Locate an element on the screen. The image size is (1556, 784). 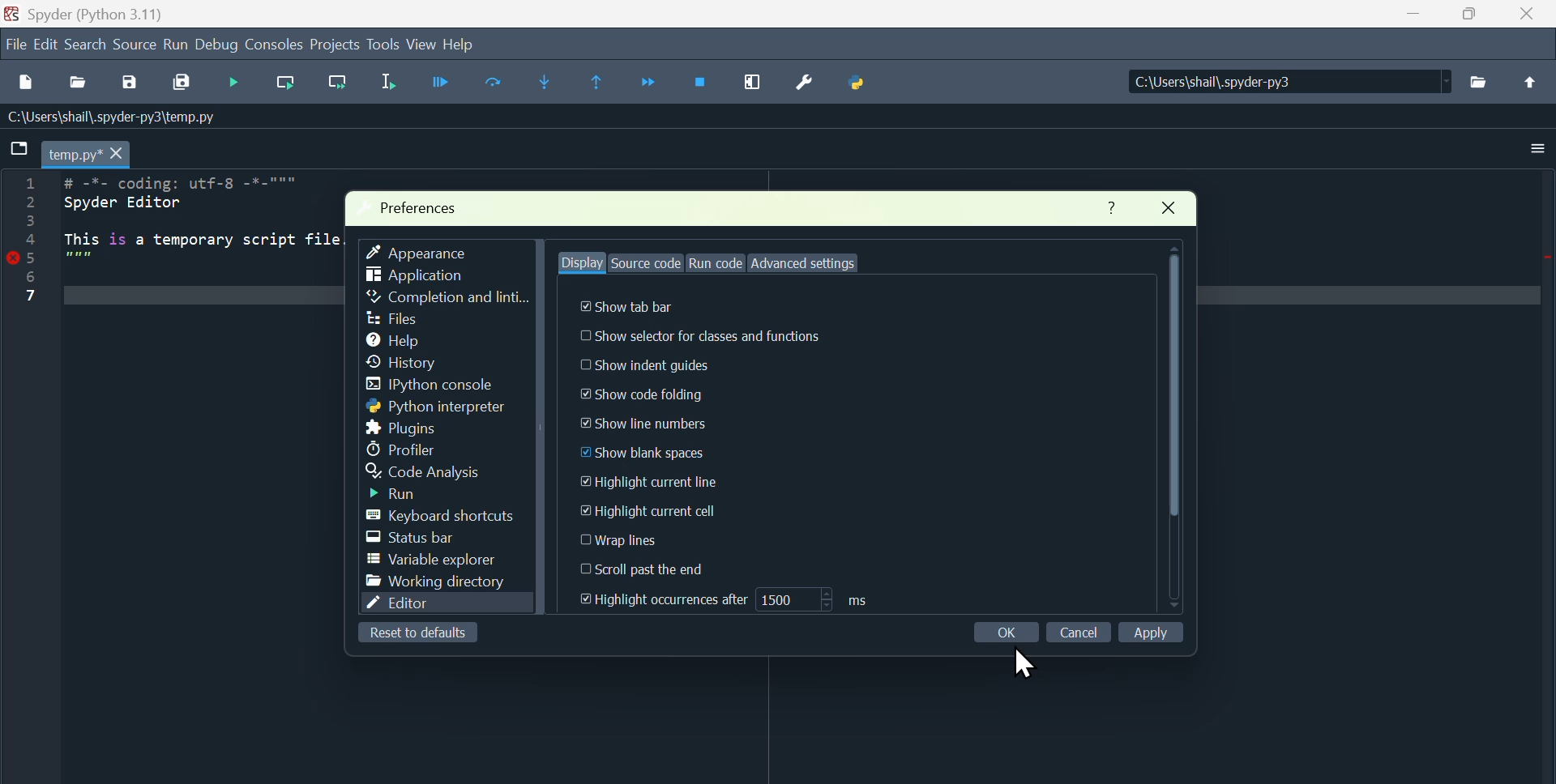
Reset to default is located at coordinates (422, 633).